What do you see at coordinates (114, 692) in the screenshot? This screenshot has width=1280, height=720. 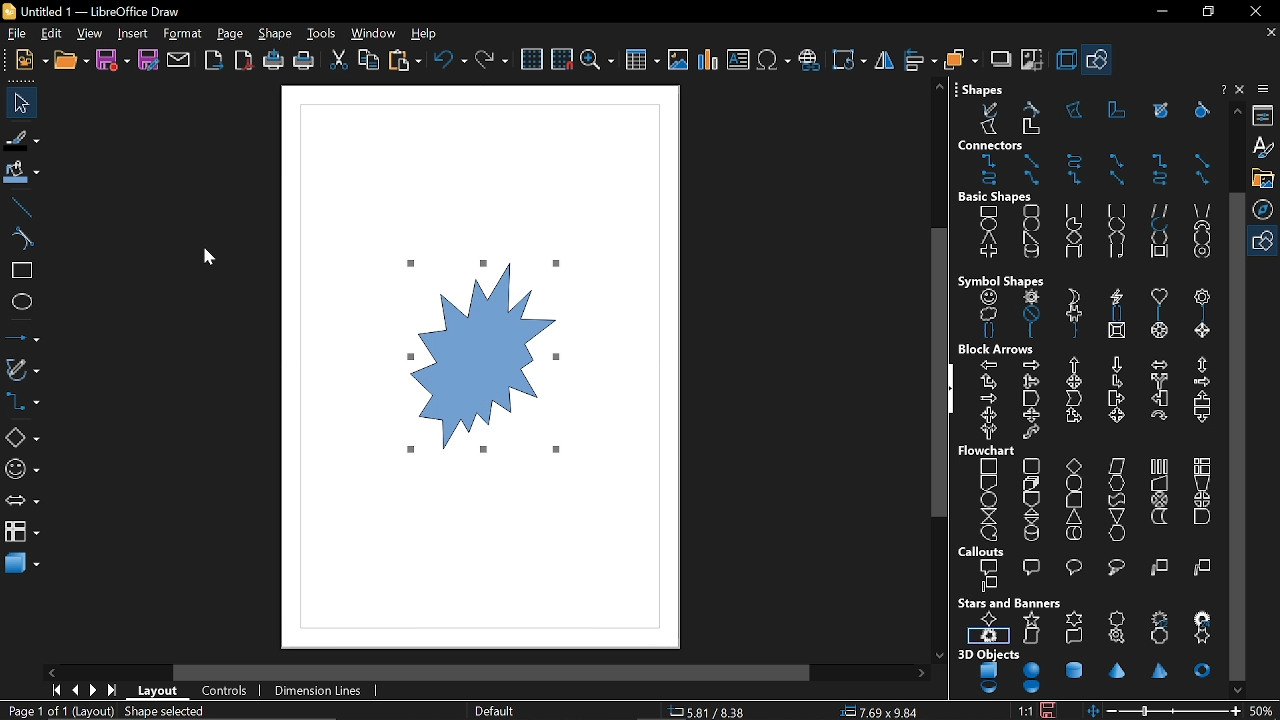 I see `go to last page` at bounding box center [114, 692].